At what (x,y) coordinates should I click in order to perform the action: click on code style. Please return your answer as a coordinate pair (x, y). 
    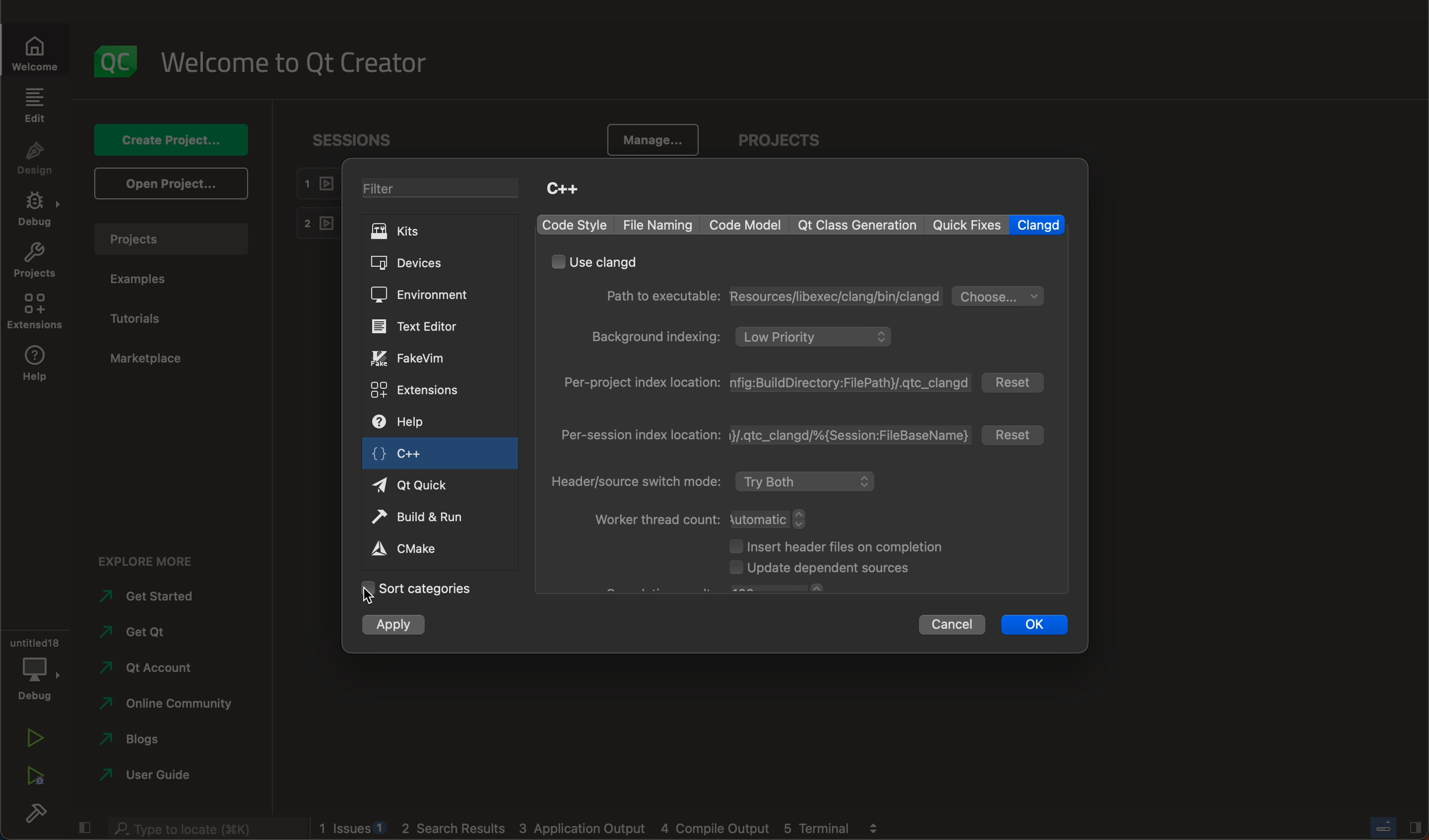
    Looking at the image, I should click on (574, 224).